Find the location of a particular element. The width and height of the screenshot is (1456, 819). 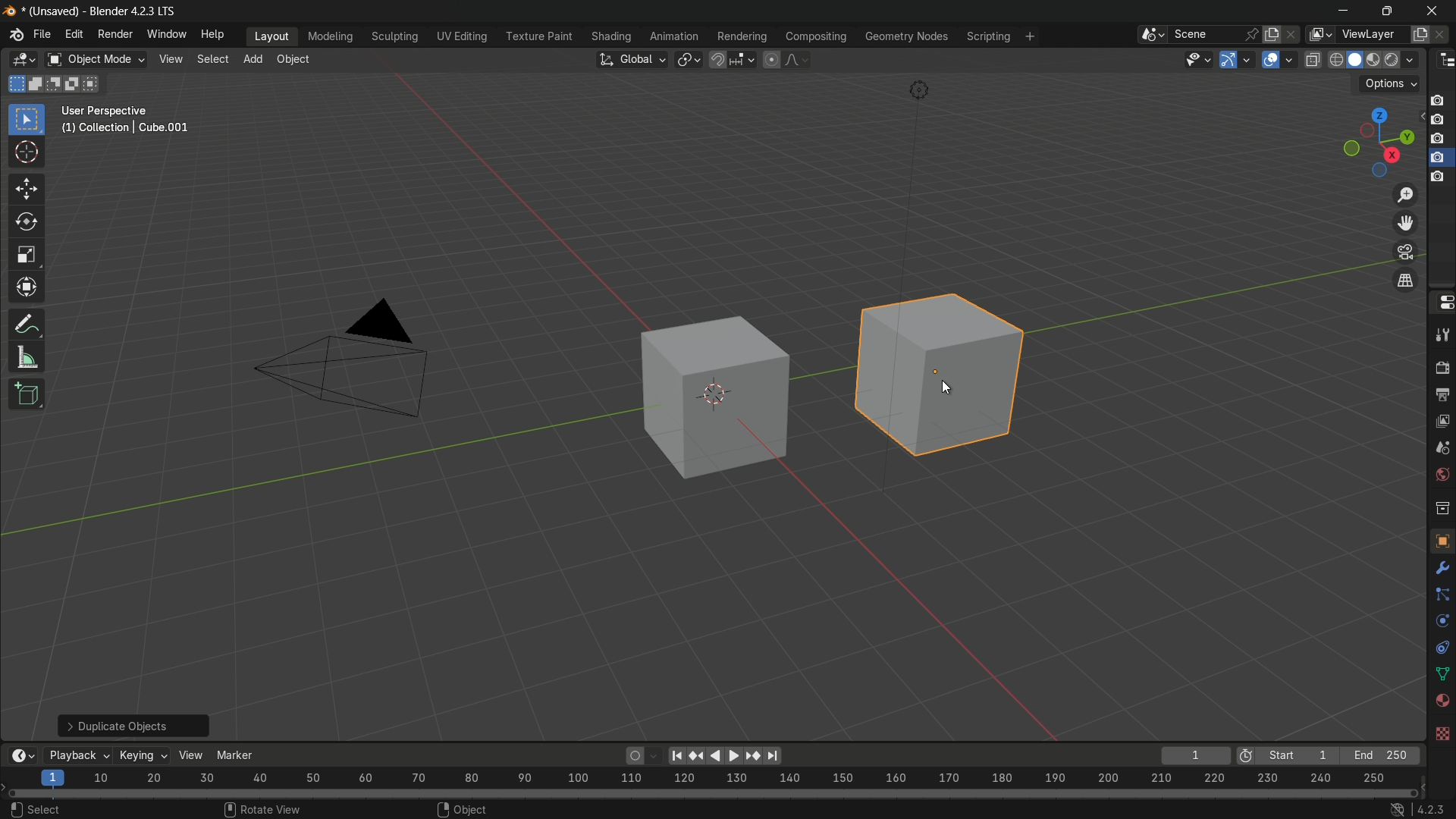

Automatic Constraint Pane is located at coordinates (999, 811).